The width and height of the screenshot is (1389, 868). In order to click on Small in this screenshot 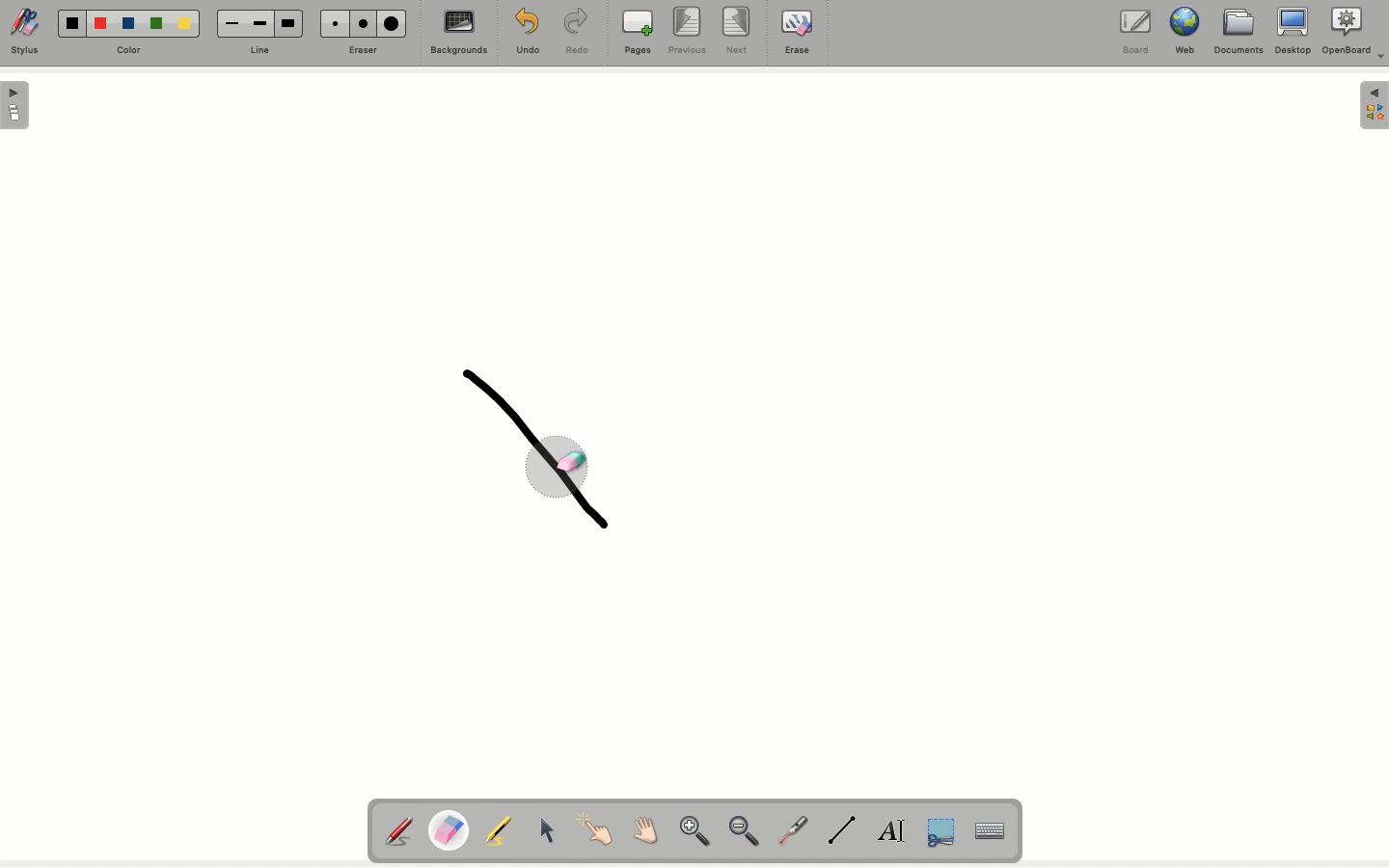, I will do `click(336, 23)`.